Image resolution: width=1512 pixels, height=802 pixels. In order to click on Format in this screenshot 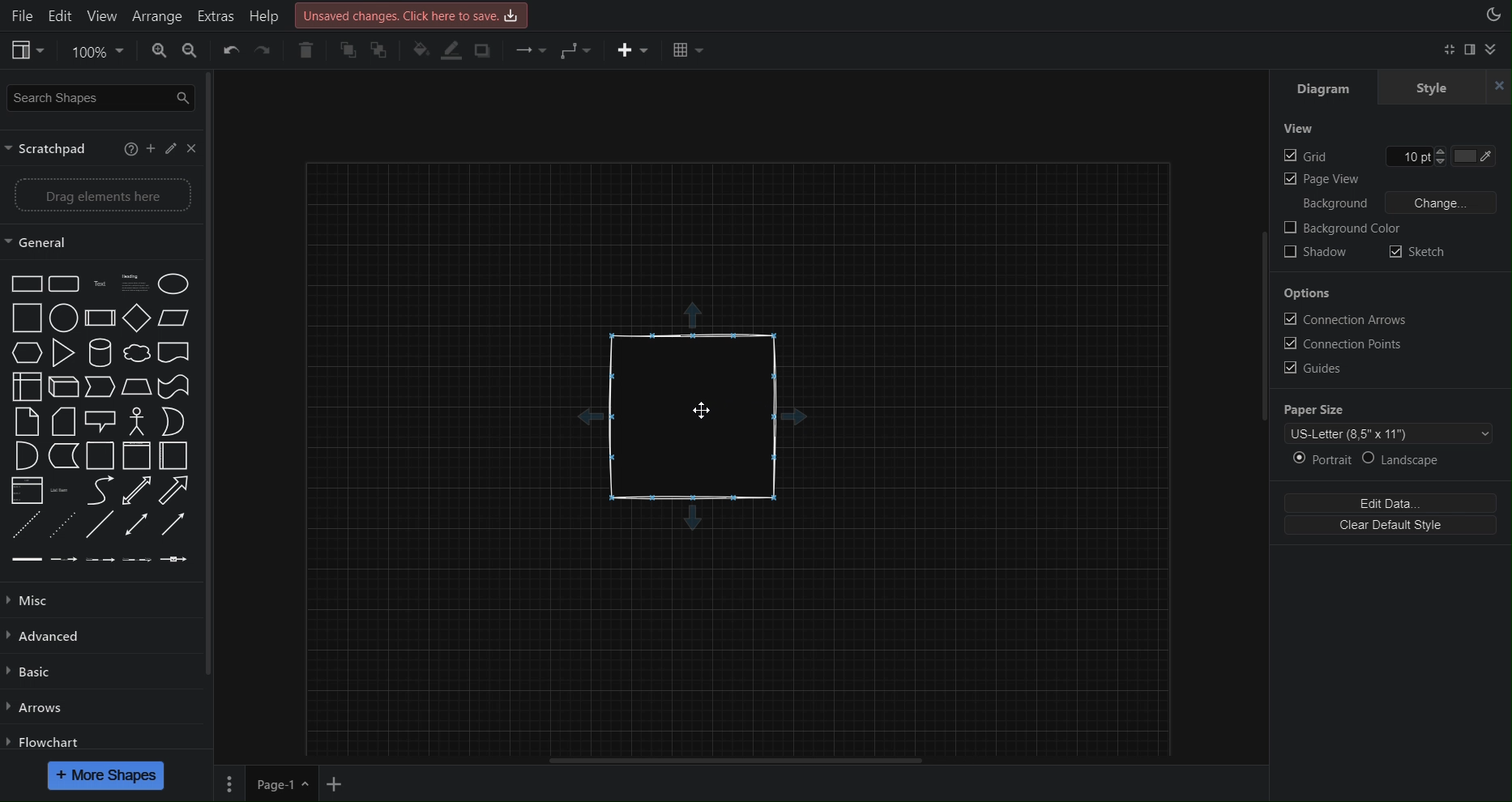, I will do `click(1474, 53)`.